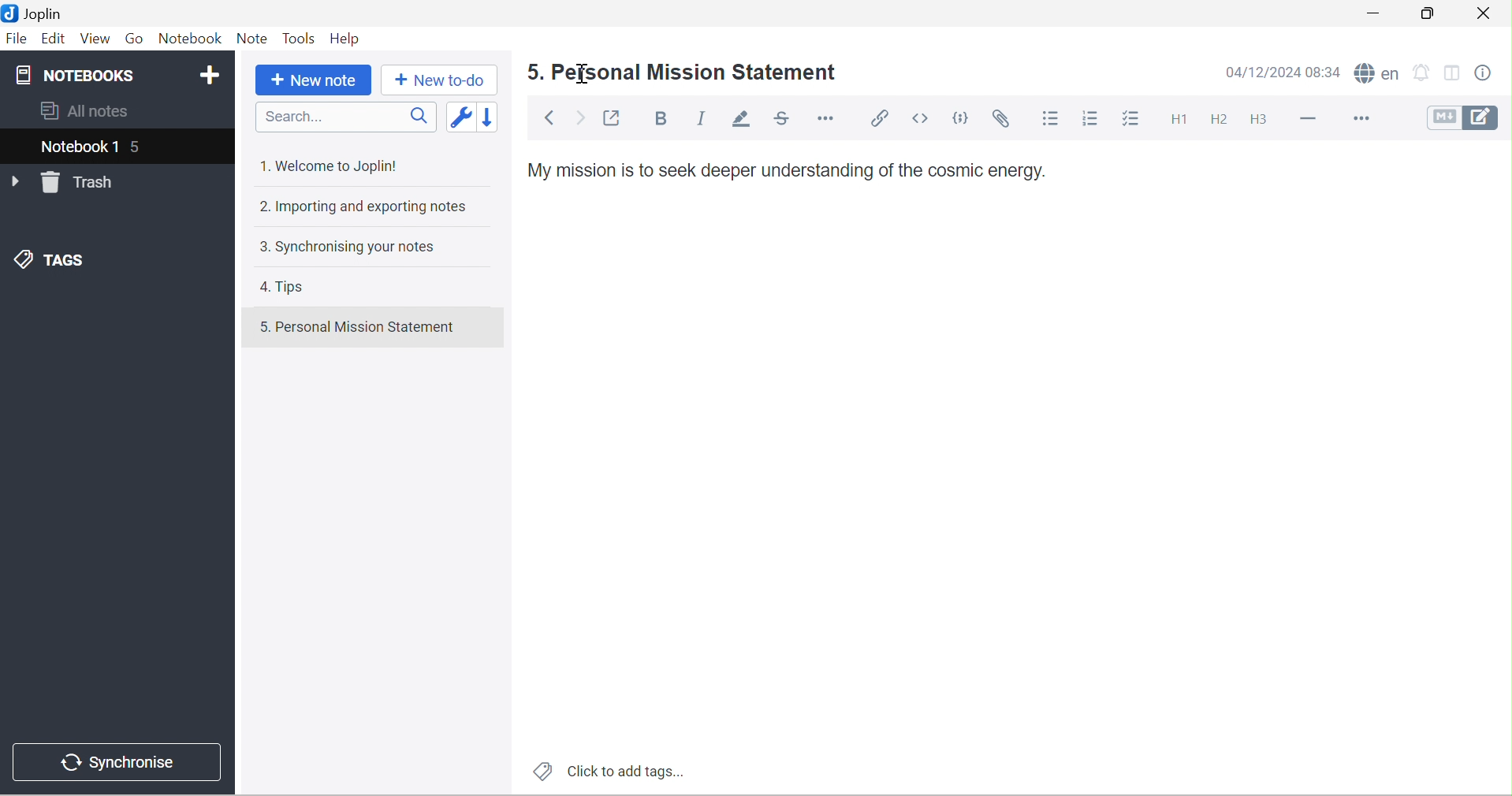 The height and width of the screenshot is (796, 1512). Describe the element at coordinates (50, 258) in the screenshot. I see `TAGS` at that location.